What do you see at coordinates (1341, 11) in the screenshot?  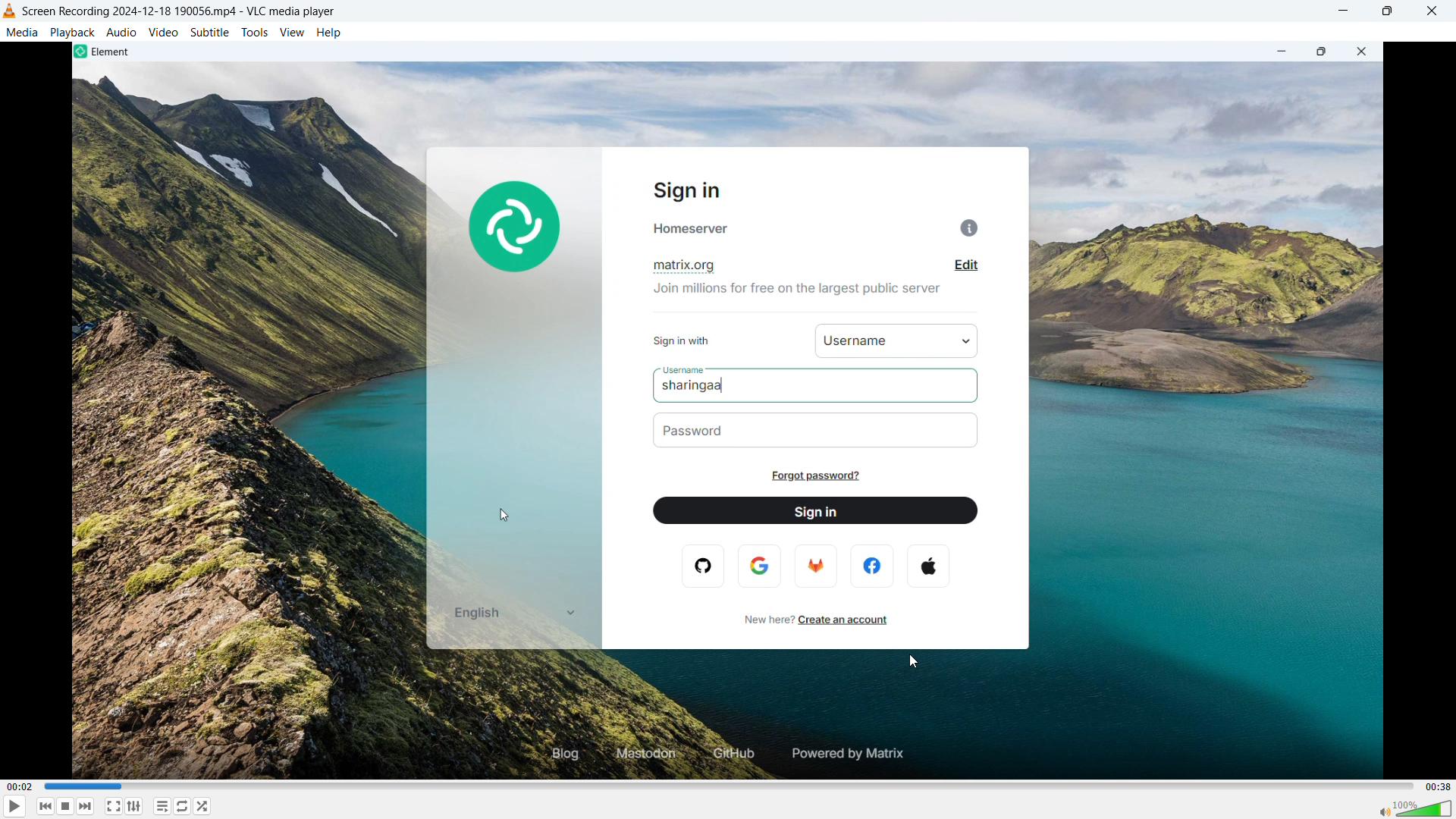 I see `minimise ` at bounding box center [1341, 11].